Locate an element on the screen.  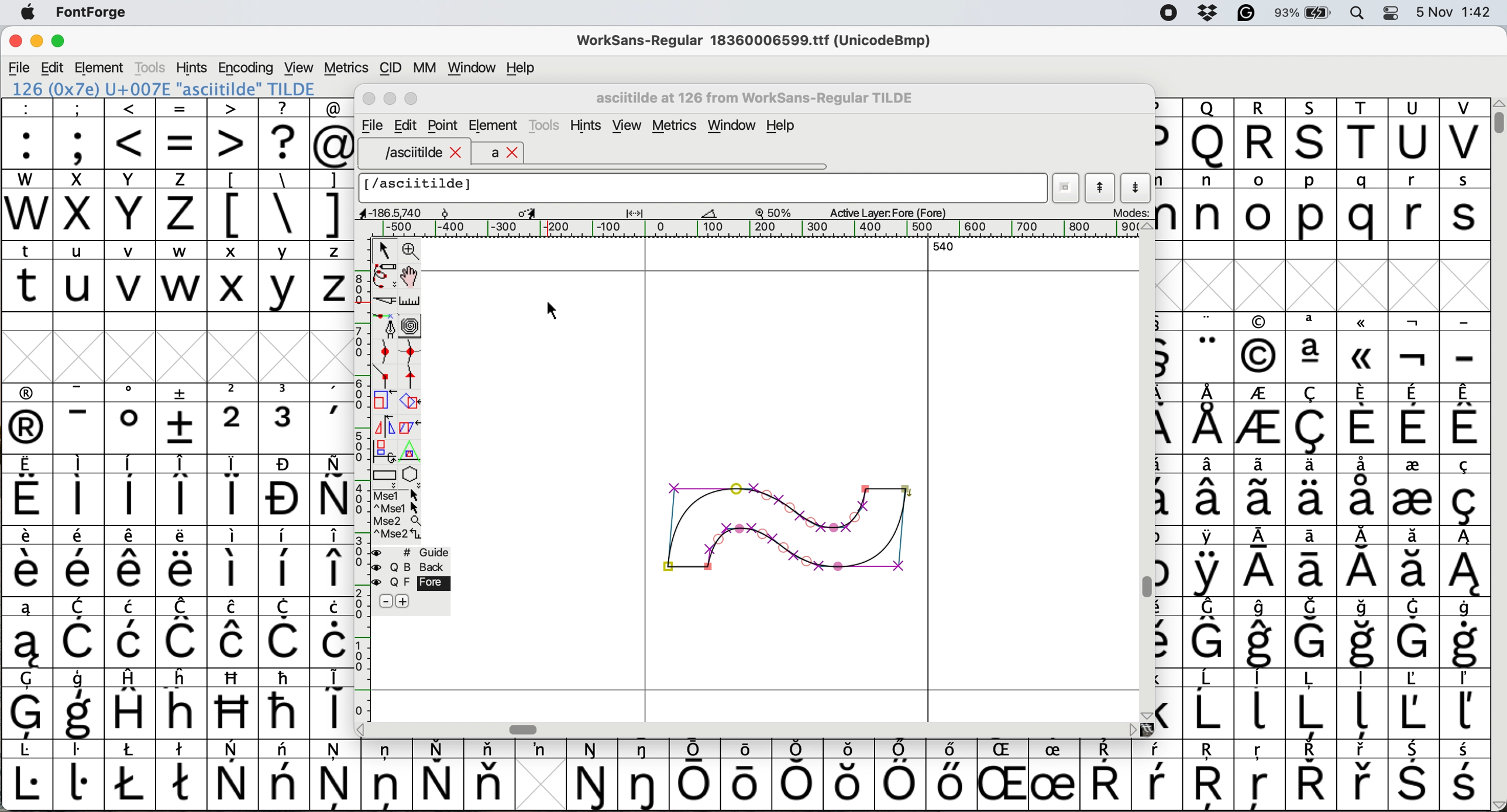
symbol is located at coordinates (234, 776).